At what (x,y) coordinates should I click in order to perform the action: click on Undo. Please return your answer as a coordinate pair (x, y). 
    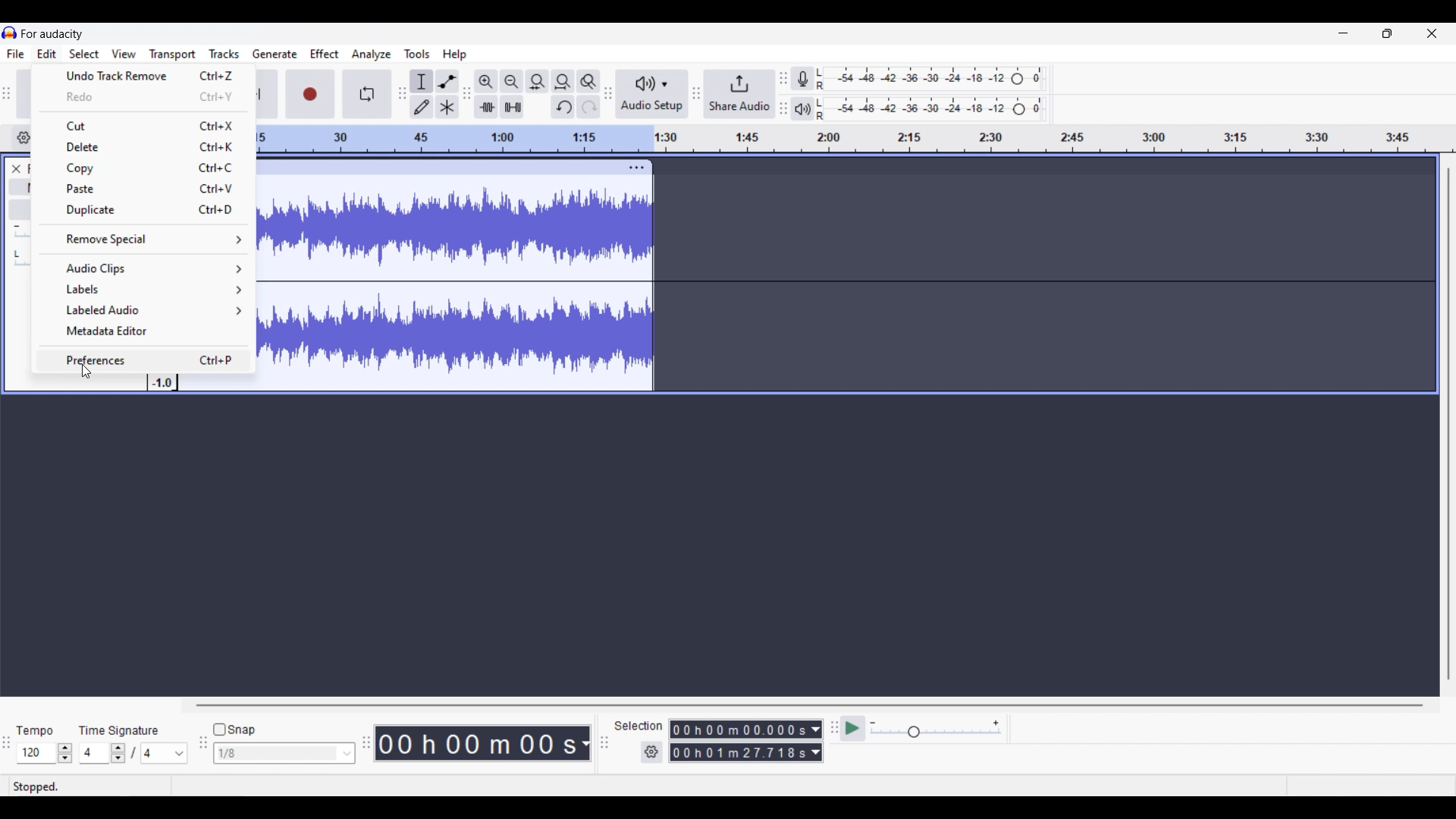
    Looking at the image, I should click on (563, 107).